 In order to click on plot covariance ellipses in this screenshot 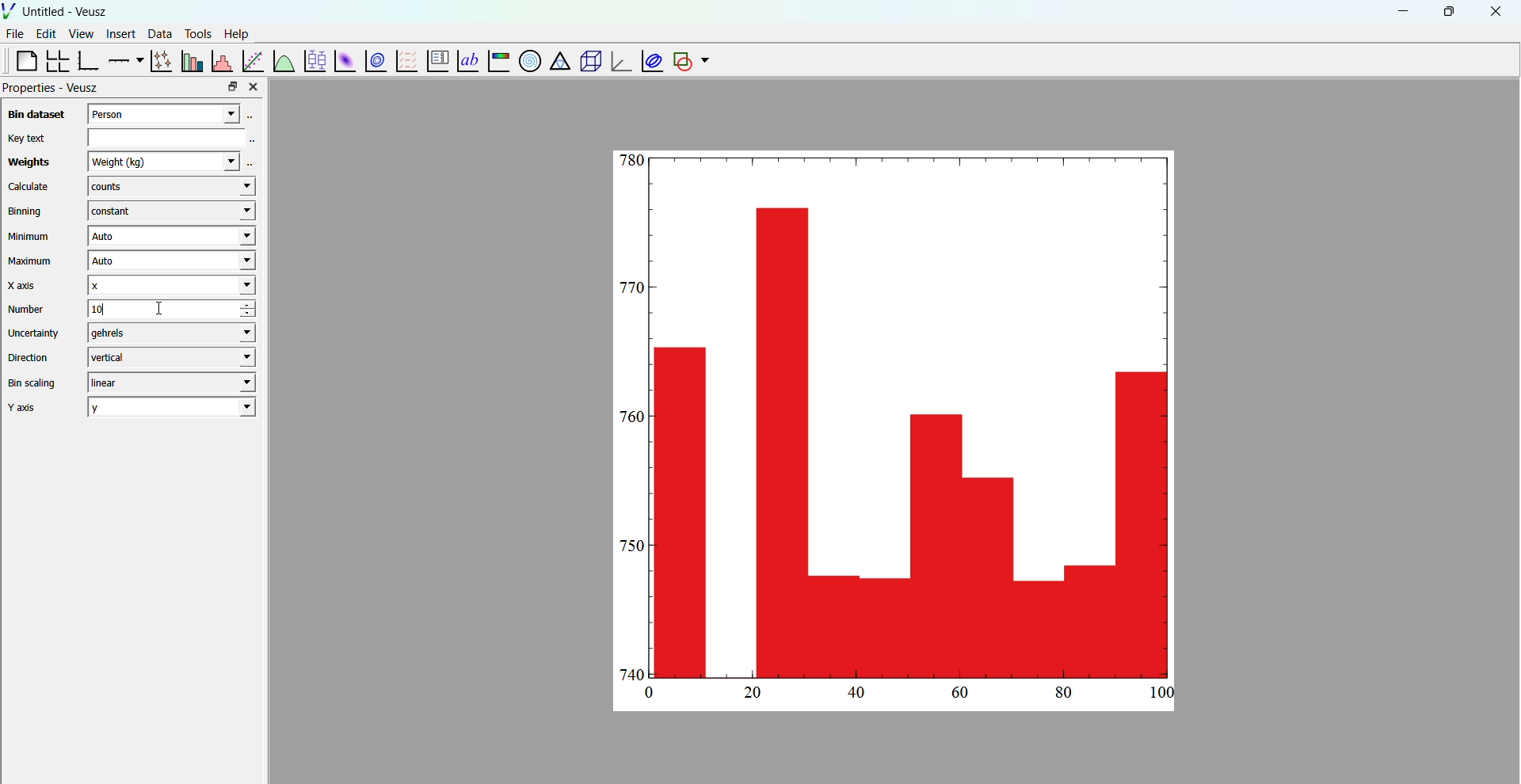, I will do `click(650, 60)`.